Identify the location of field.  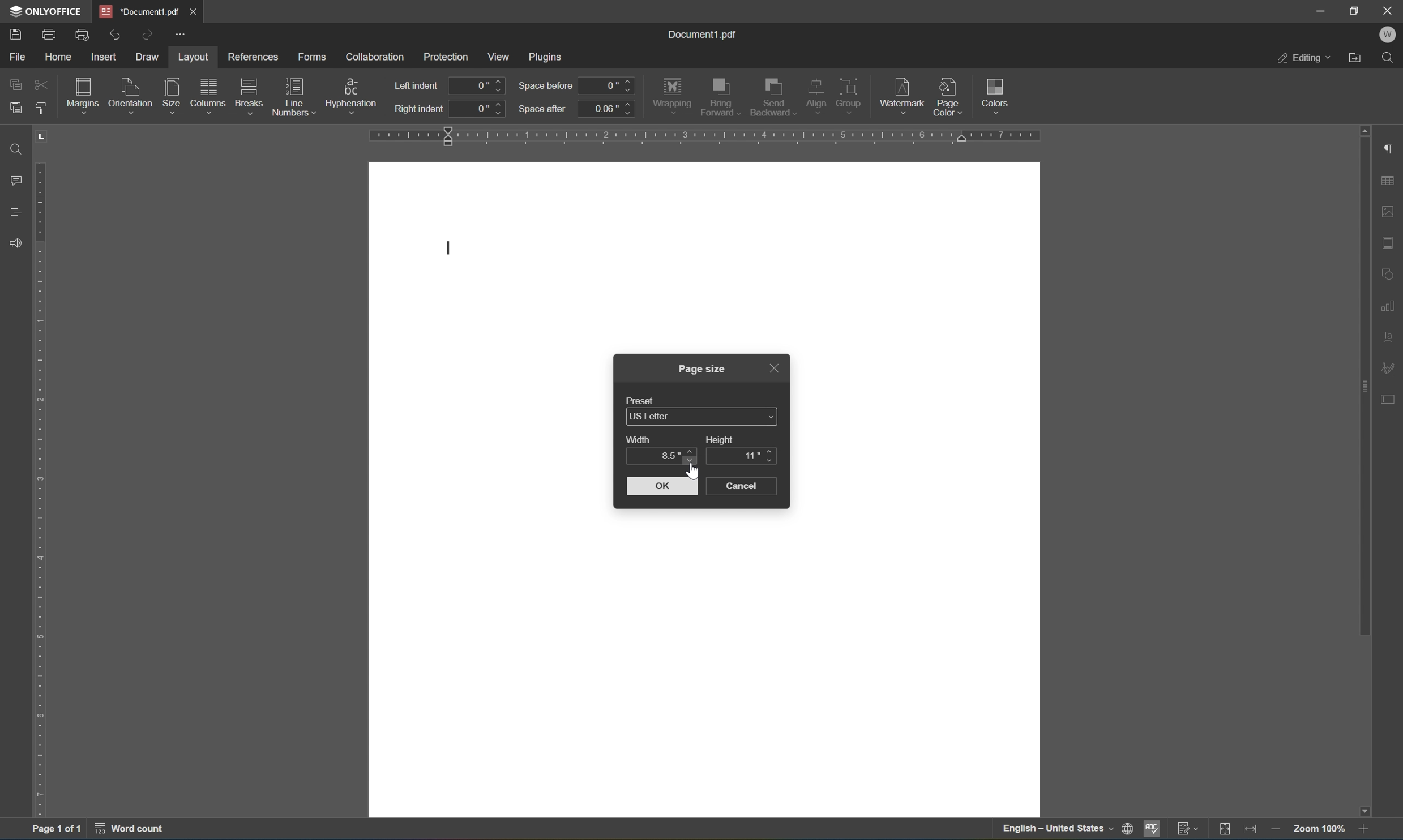
(41, 85).